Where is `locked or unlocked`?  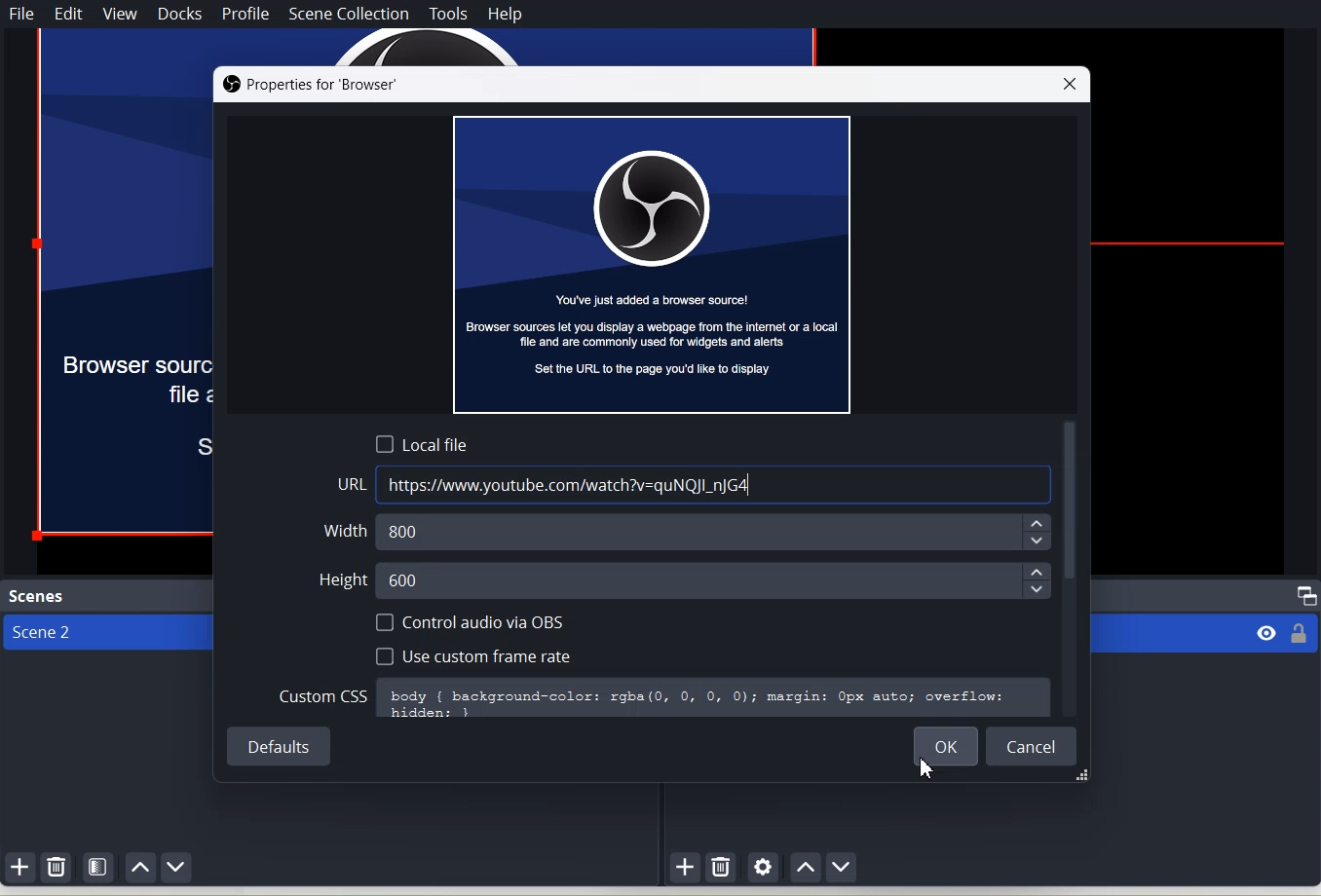 locked or unlocked is located at coordinates (1302, 631).